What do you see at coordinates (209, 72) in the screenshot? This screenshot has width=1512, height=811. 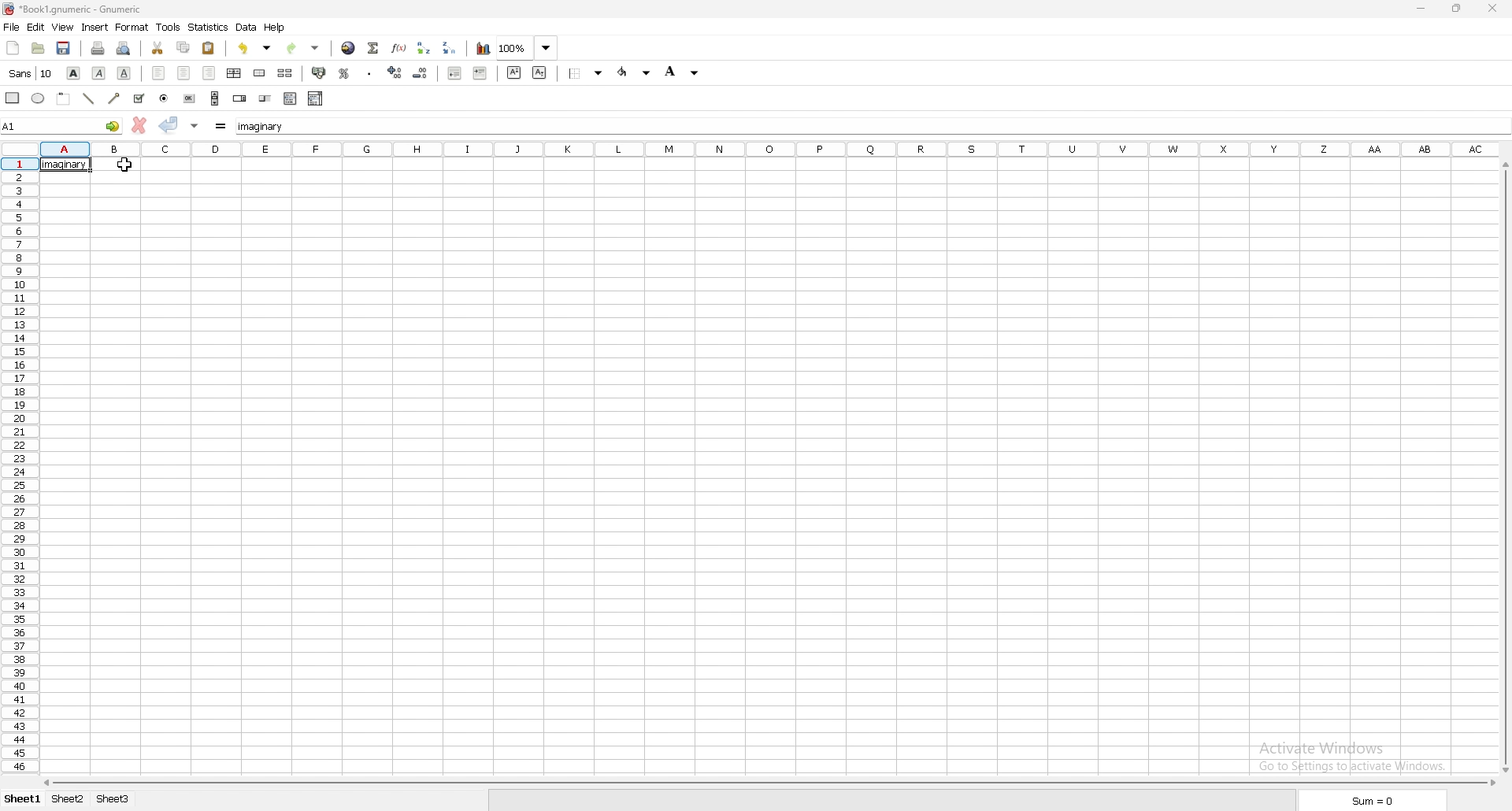 I see `right align` at bounding box center [209, 72].